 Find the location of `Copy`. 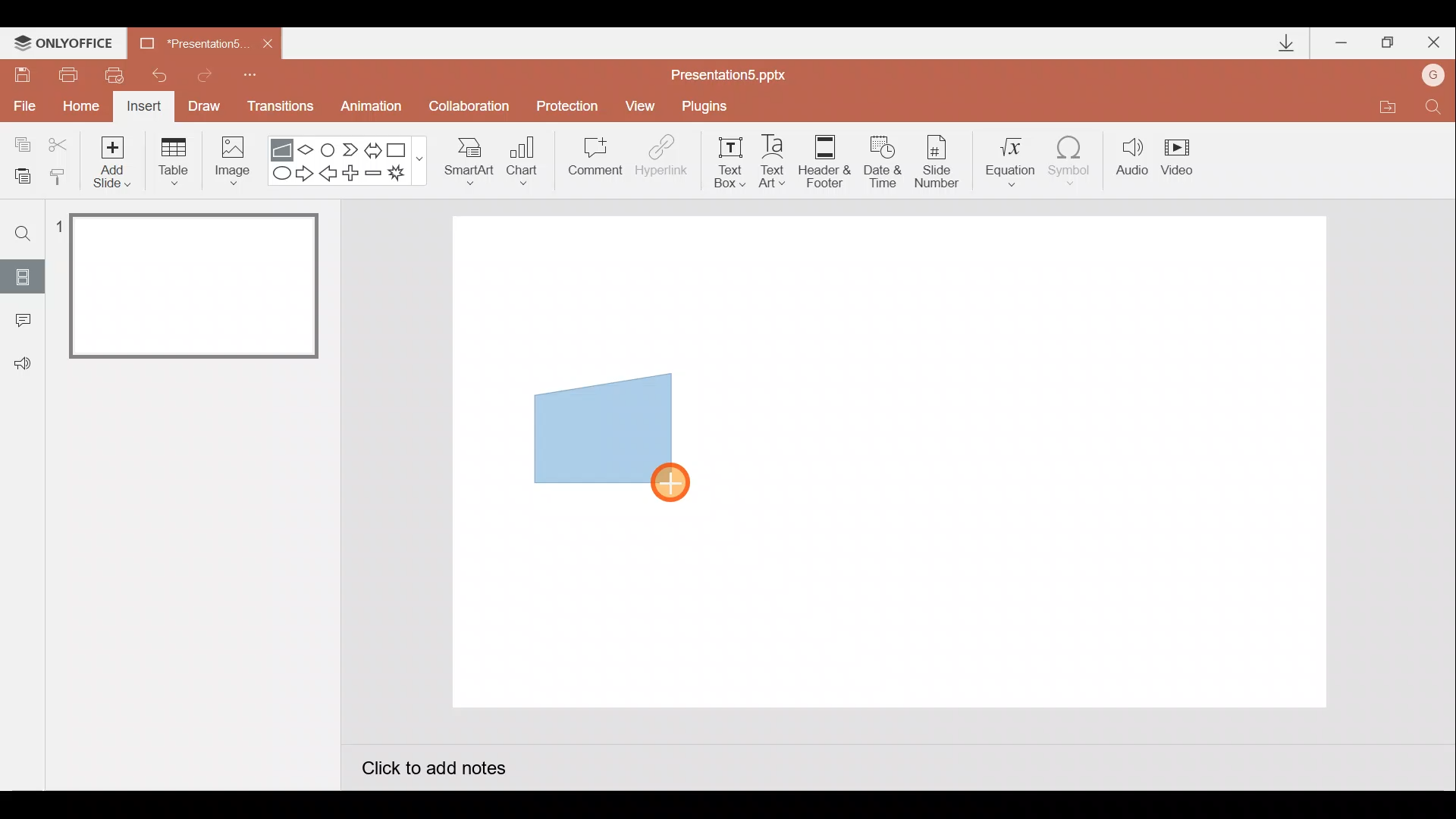

Copy is located at coordinates (20, 142).